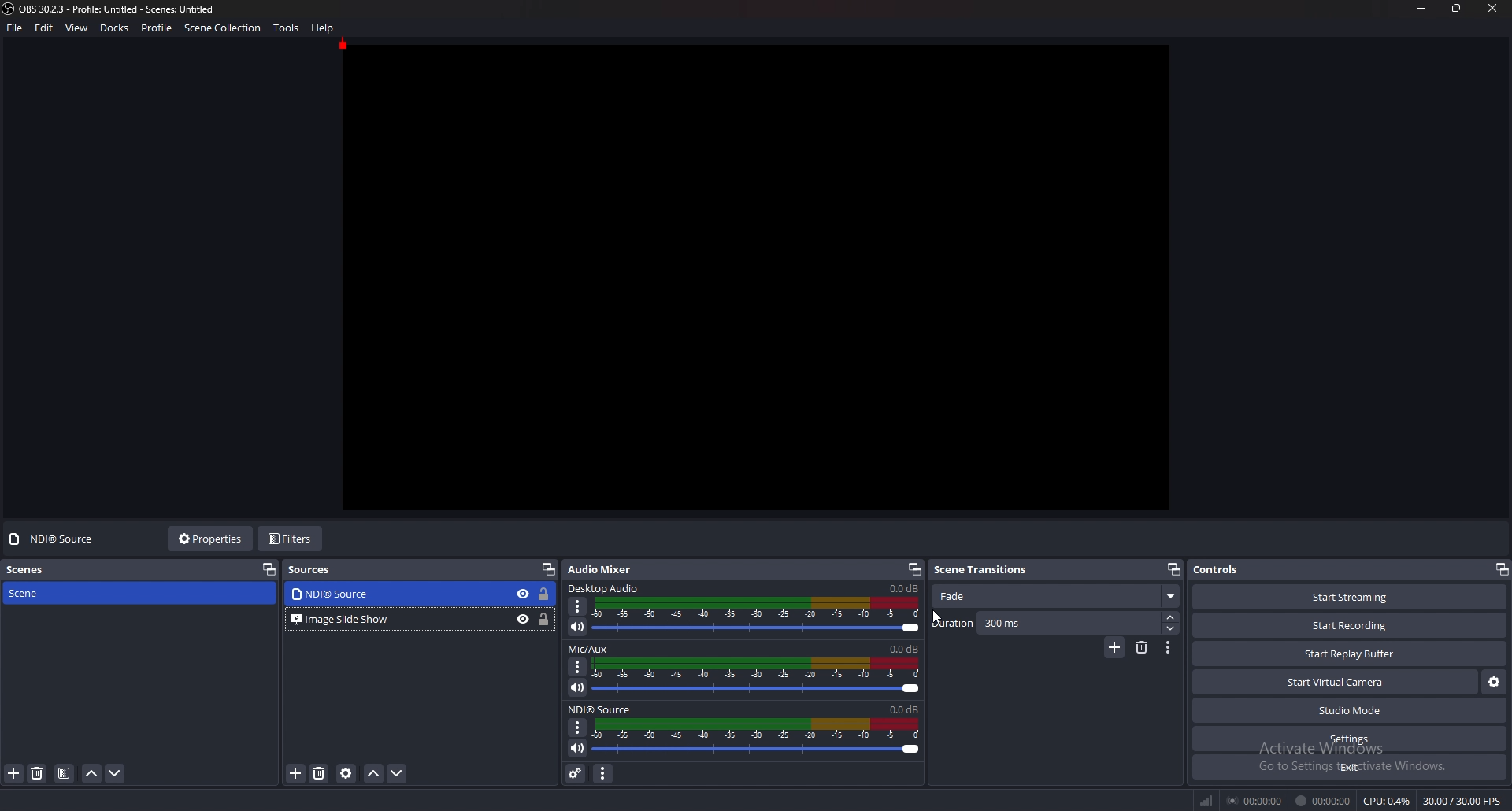 Image resolution: width=1512 pixels, height=811 pixels. Describe the element at coordinates (577, 688) in the screenshot. I see `mute` at that location.